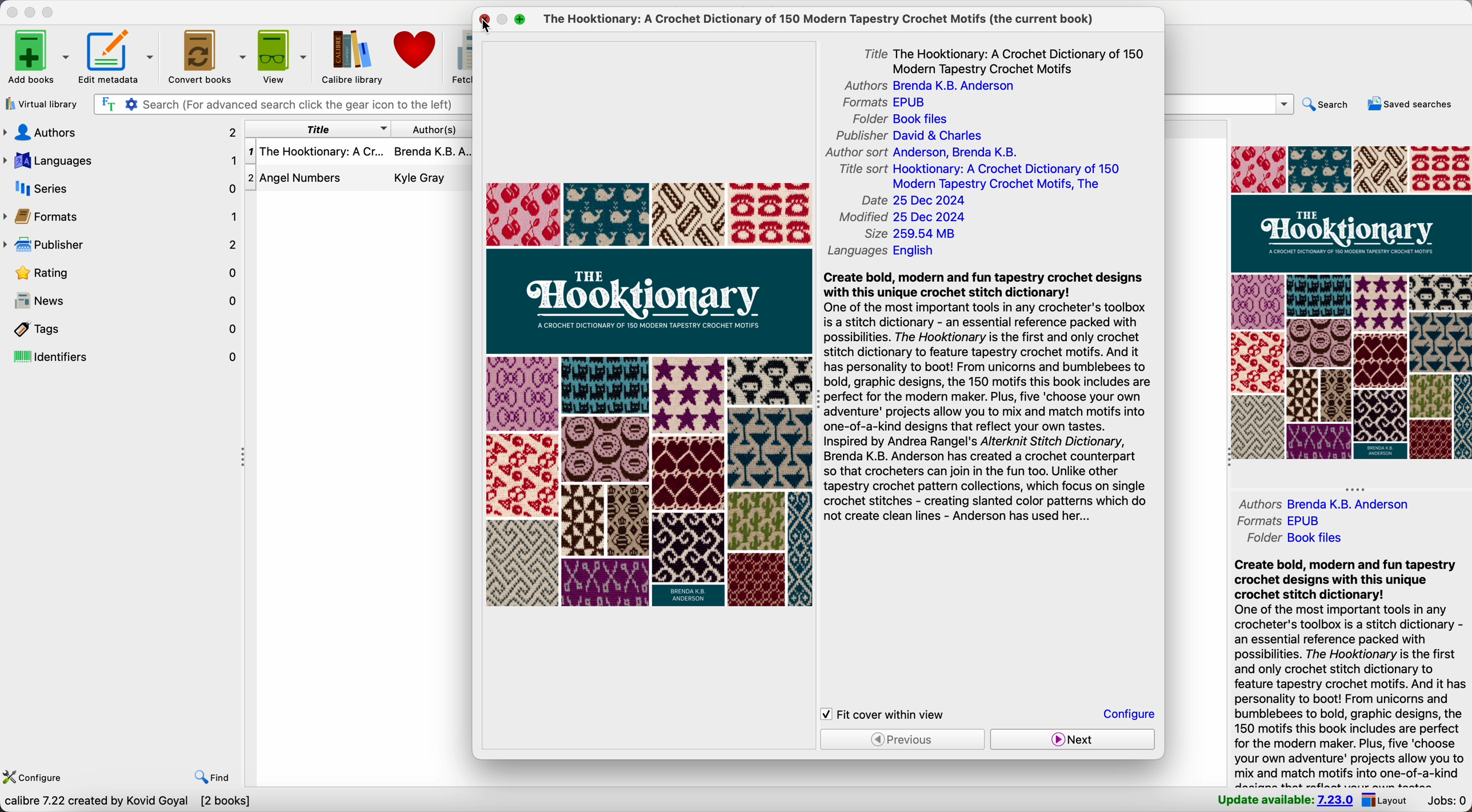 Image resolution: width=1472 pixels, height=812 pixels. What do you see at coordinates (1006, 59) in the screenshot?
I see `title` at bounding box center [1006, 59].